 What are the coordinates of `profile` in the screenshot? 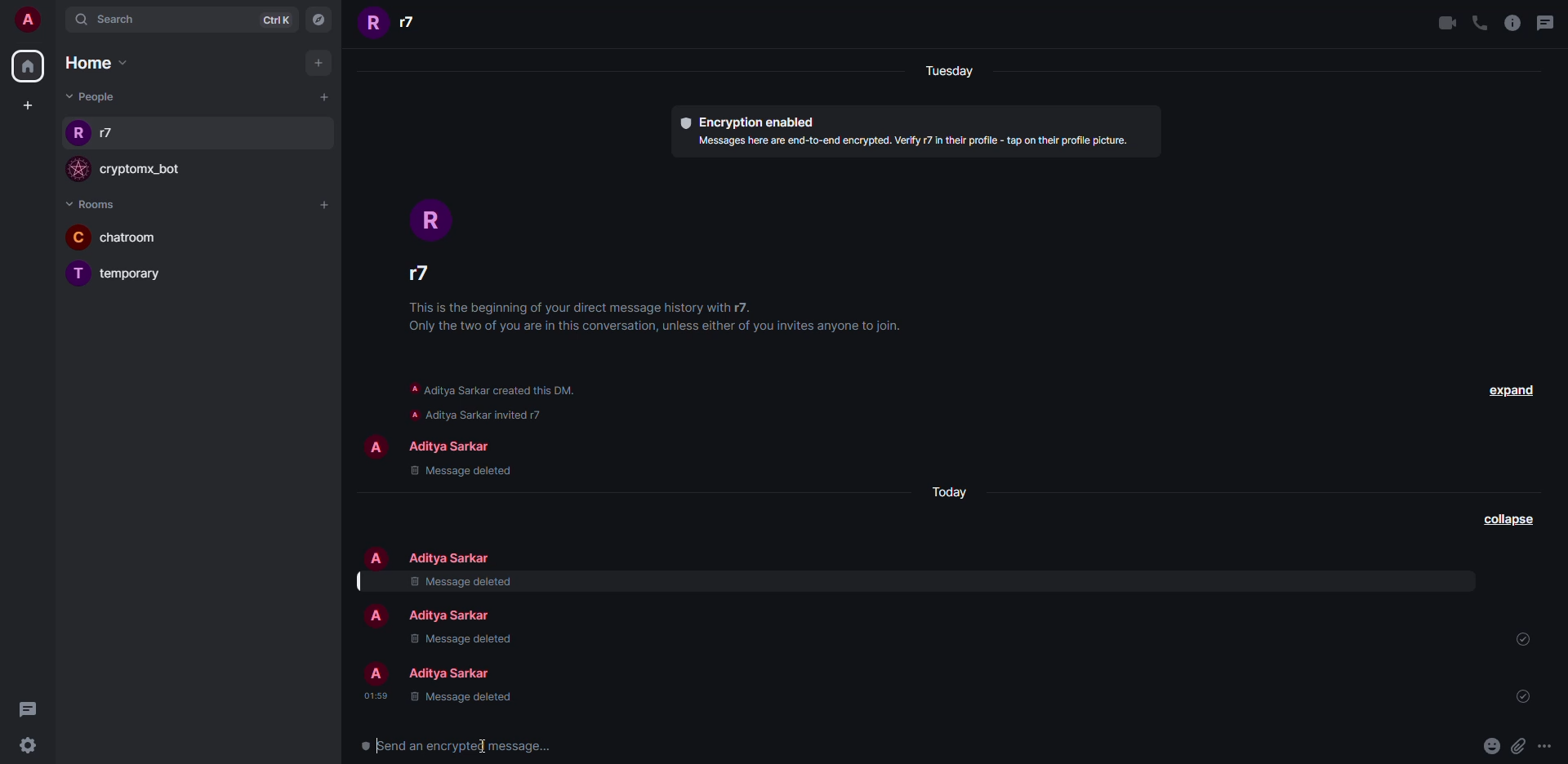 It's located at (79, 274).